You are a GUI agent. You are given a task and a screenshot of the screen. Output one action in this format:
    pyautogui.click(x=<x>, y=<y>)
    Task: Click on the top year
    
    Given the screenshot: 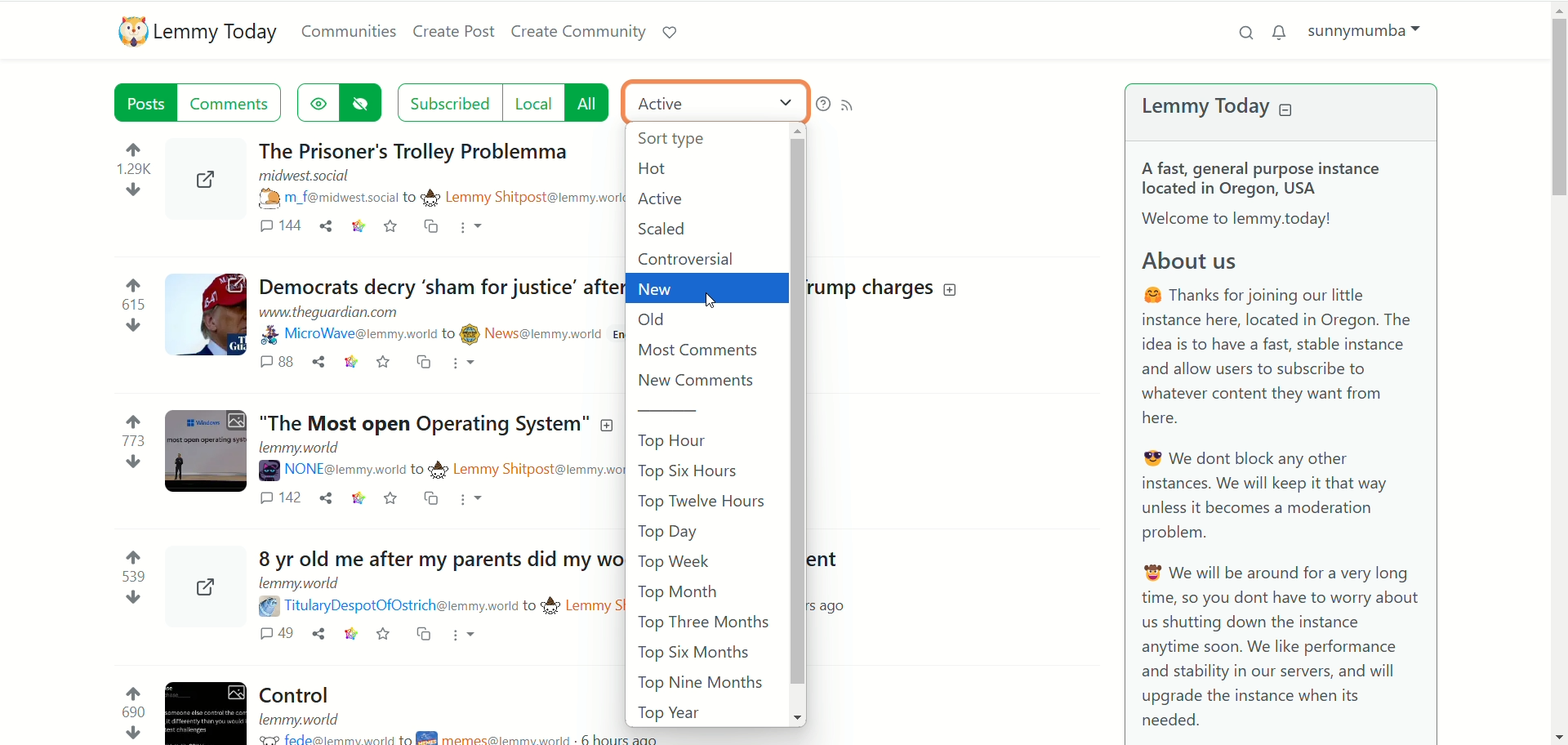 What is the action you would take?
    pyautogui.click(x=667, y=714)
    